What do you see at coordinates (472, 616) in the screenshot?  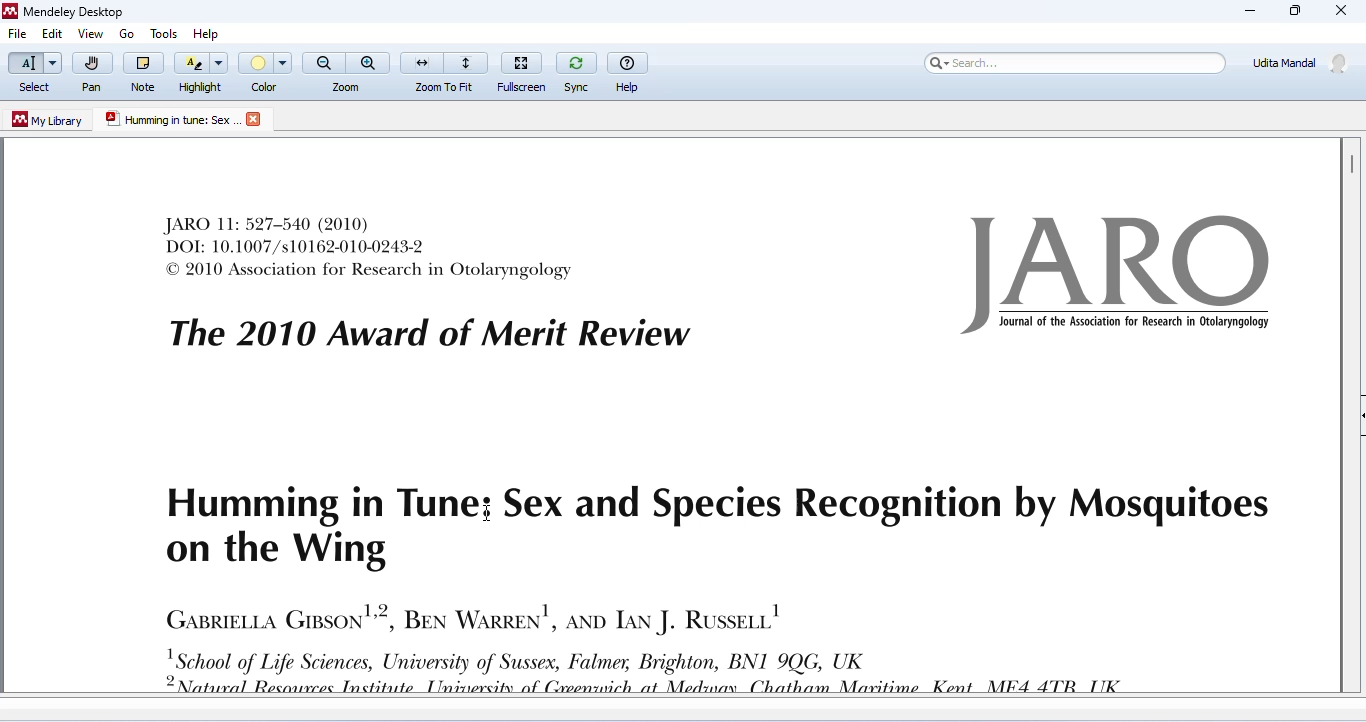 I see `GABRIELLA Gisson'2, BEN WARREN, AND IAN J. RUSSELL.` at bounding box center [472, 616].